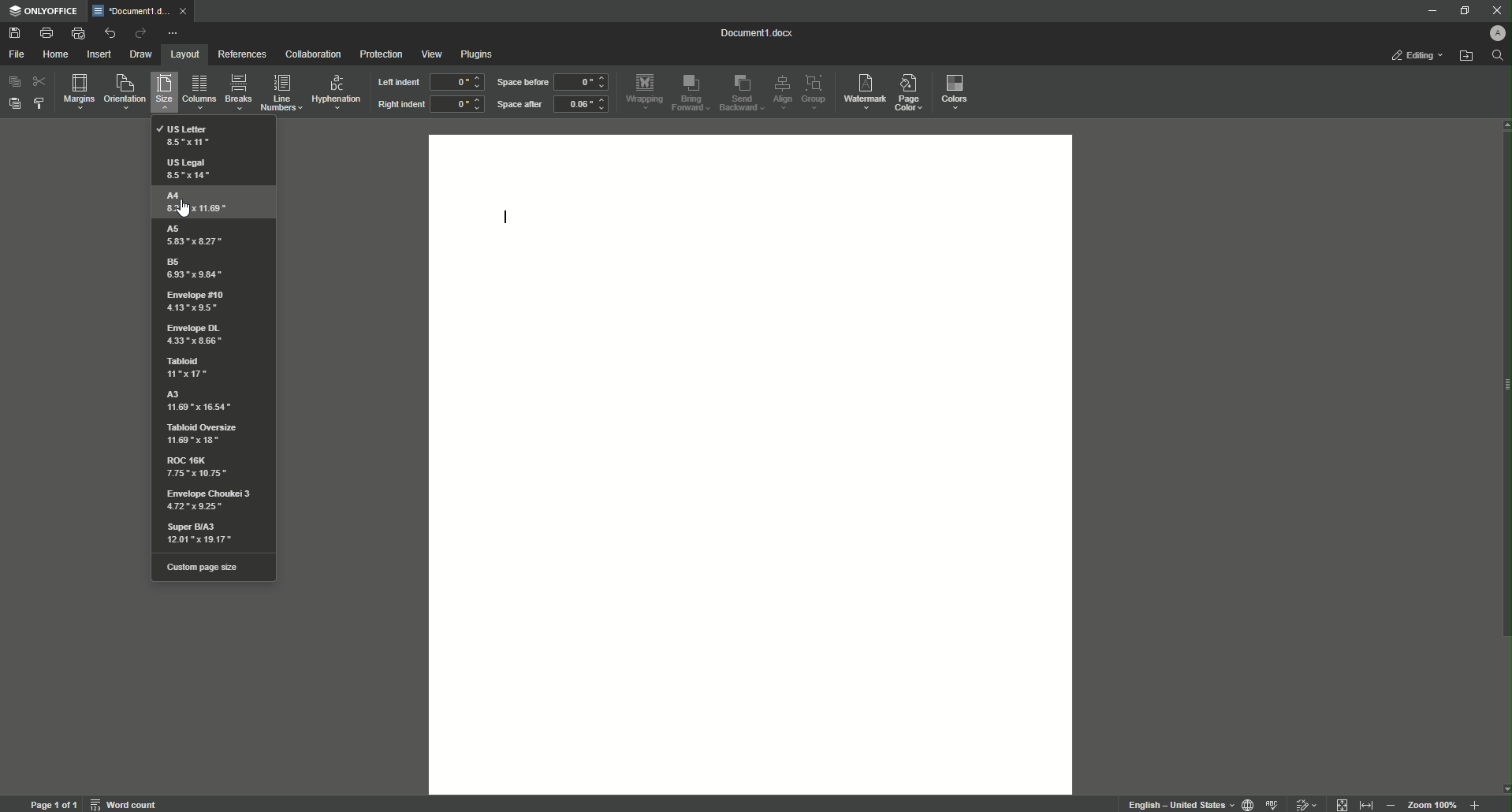  What do you see at coordinates (208, 535) in the screenshot?
I see `Super B/A3` at bounding box center [208, 535].